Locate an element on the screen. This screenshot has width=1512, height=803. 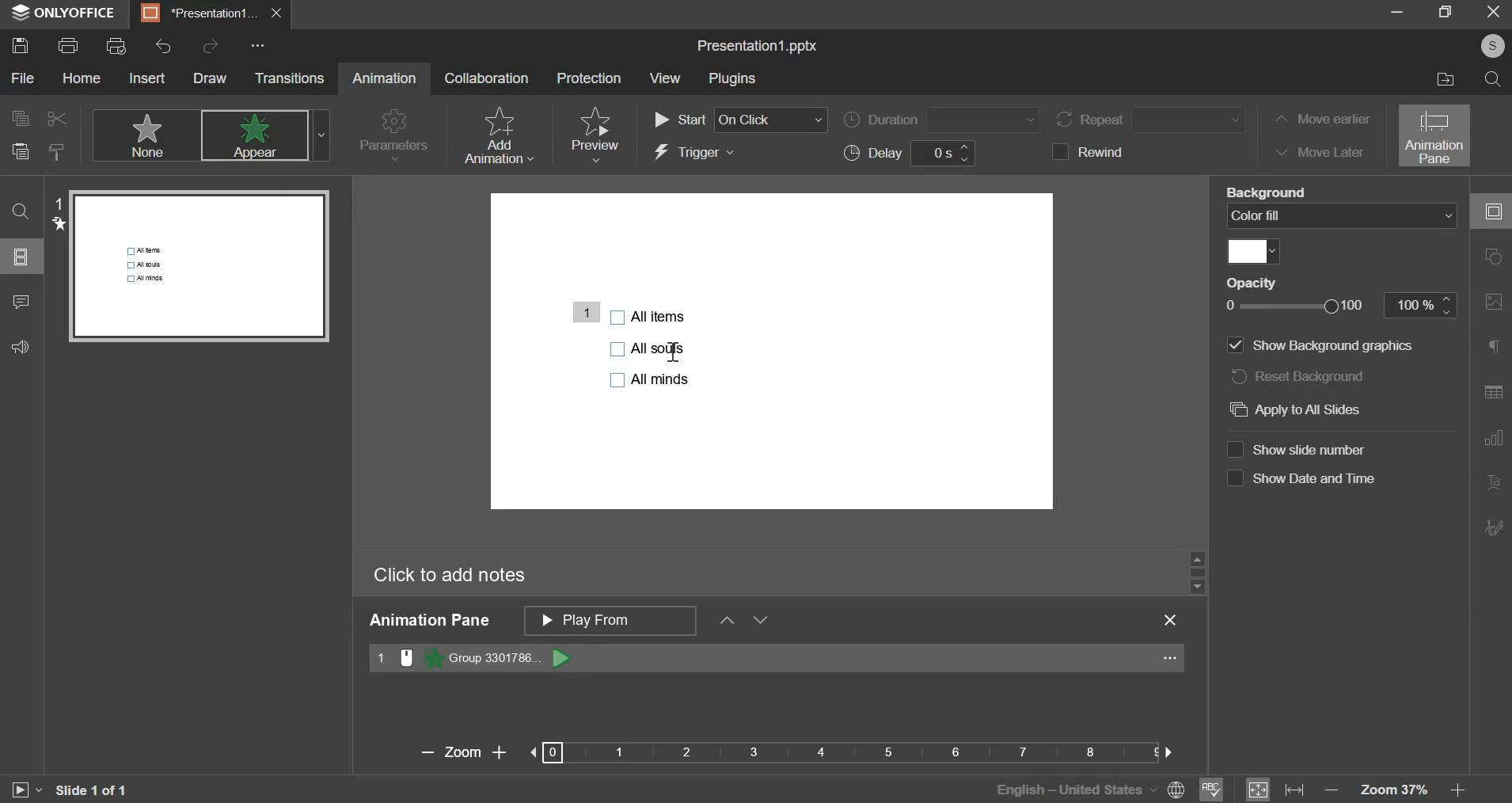
show background graphics is located at coordinates (1318, 347).